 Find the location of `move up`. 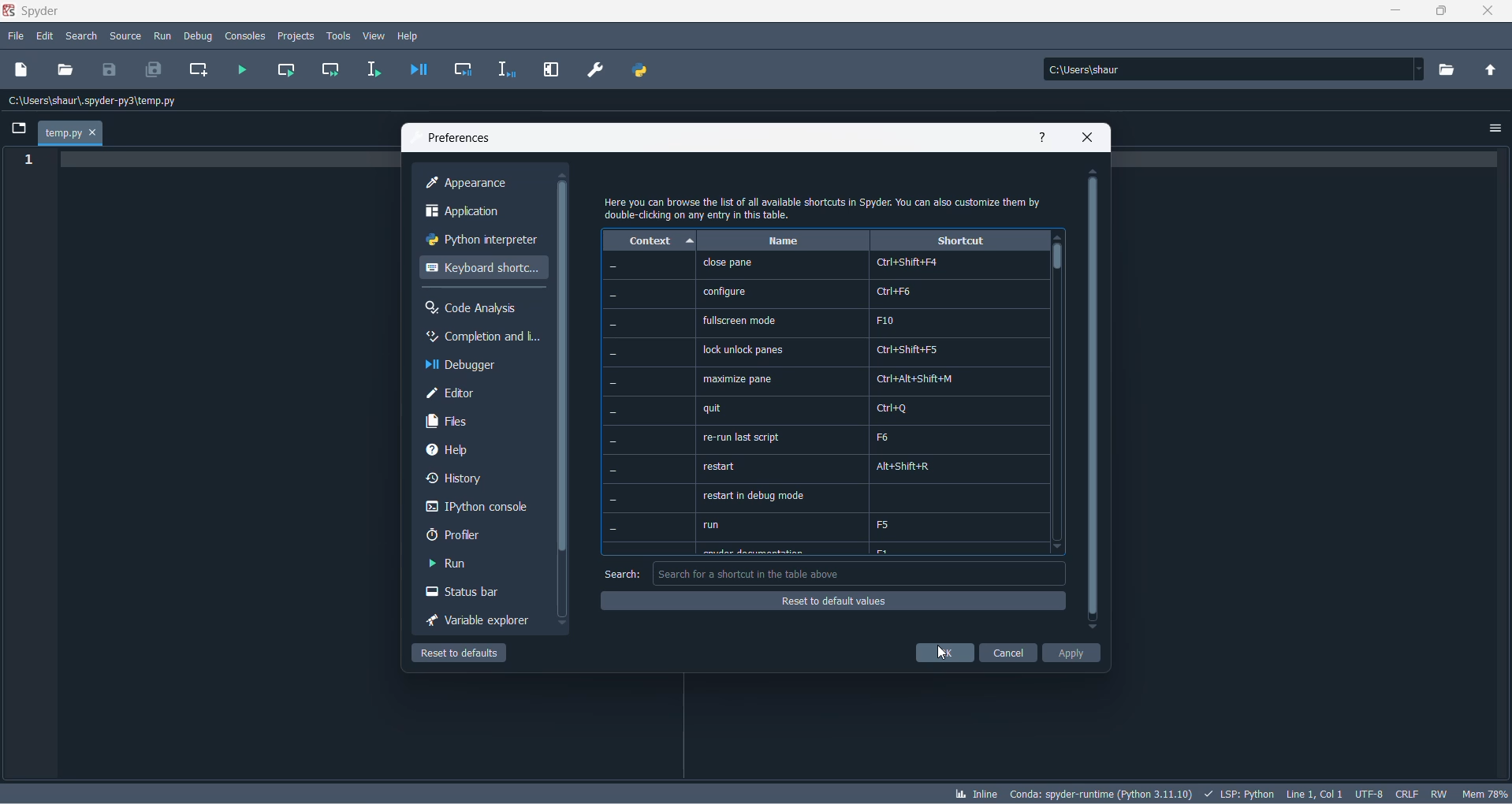

move up is located at coordinates (1057, 237).